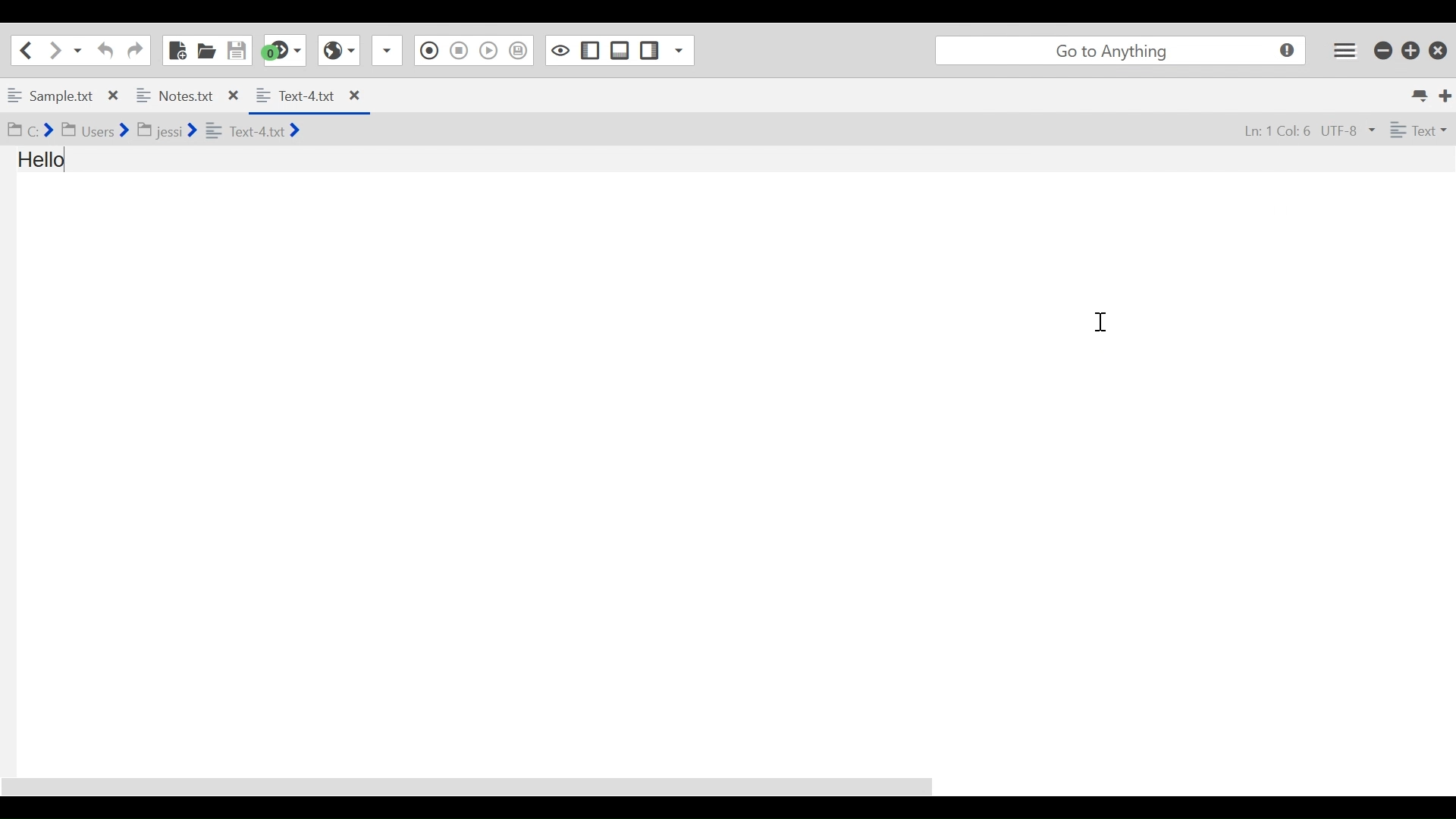  I want to click on Text Entry Pane, so click(726, 460).